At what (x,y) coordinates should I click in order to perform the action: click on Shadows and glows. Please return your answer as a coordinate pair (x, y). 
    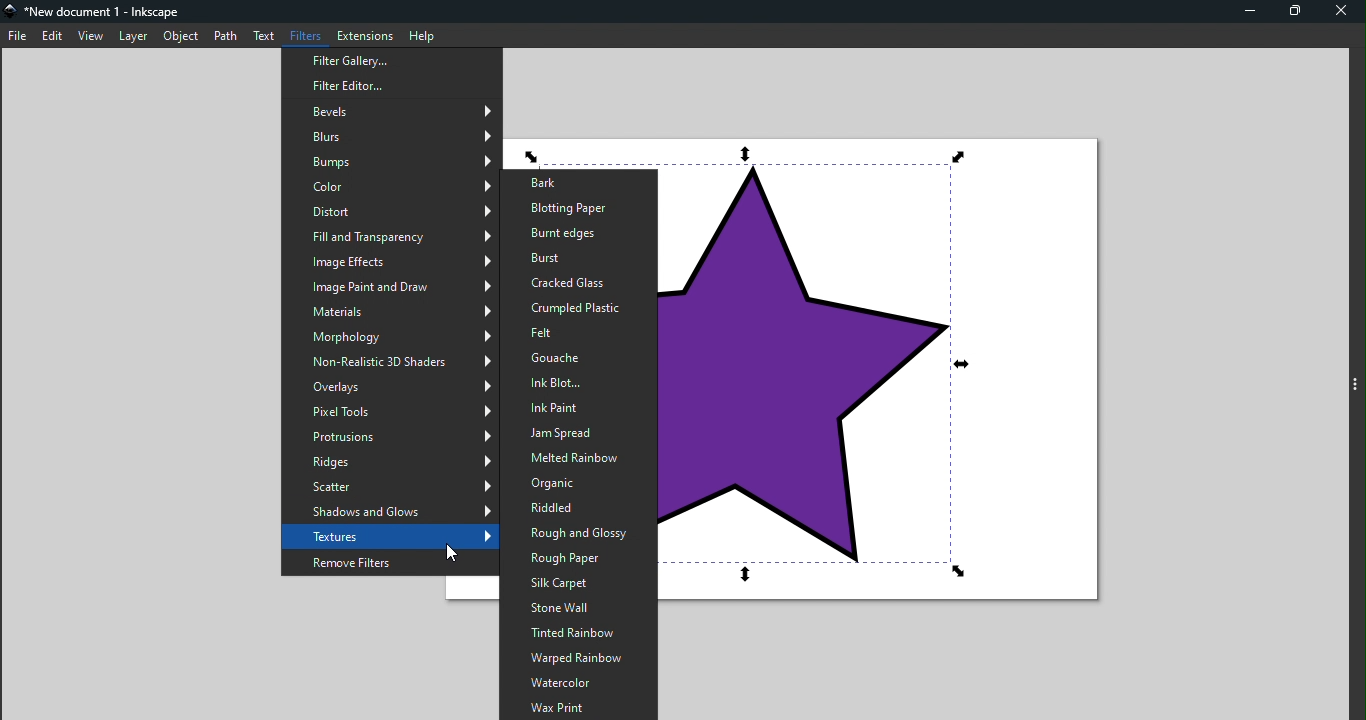
    Looking at the image, I should click on (391, 512).